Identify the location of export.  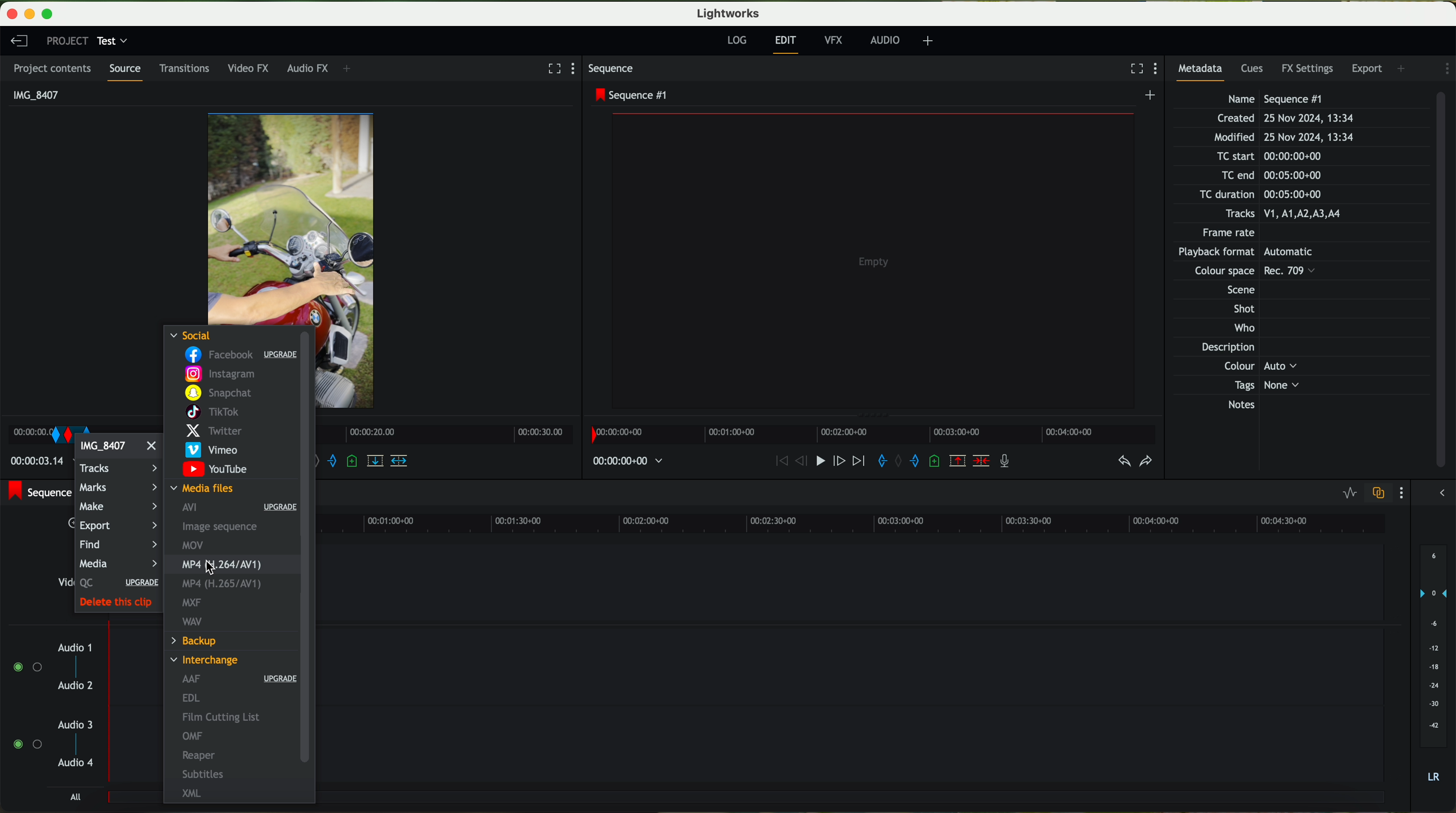
(1368, 67).